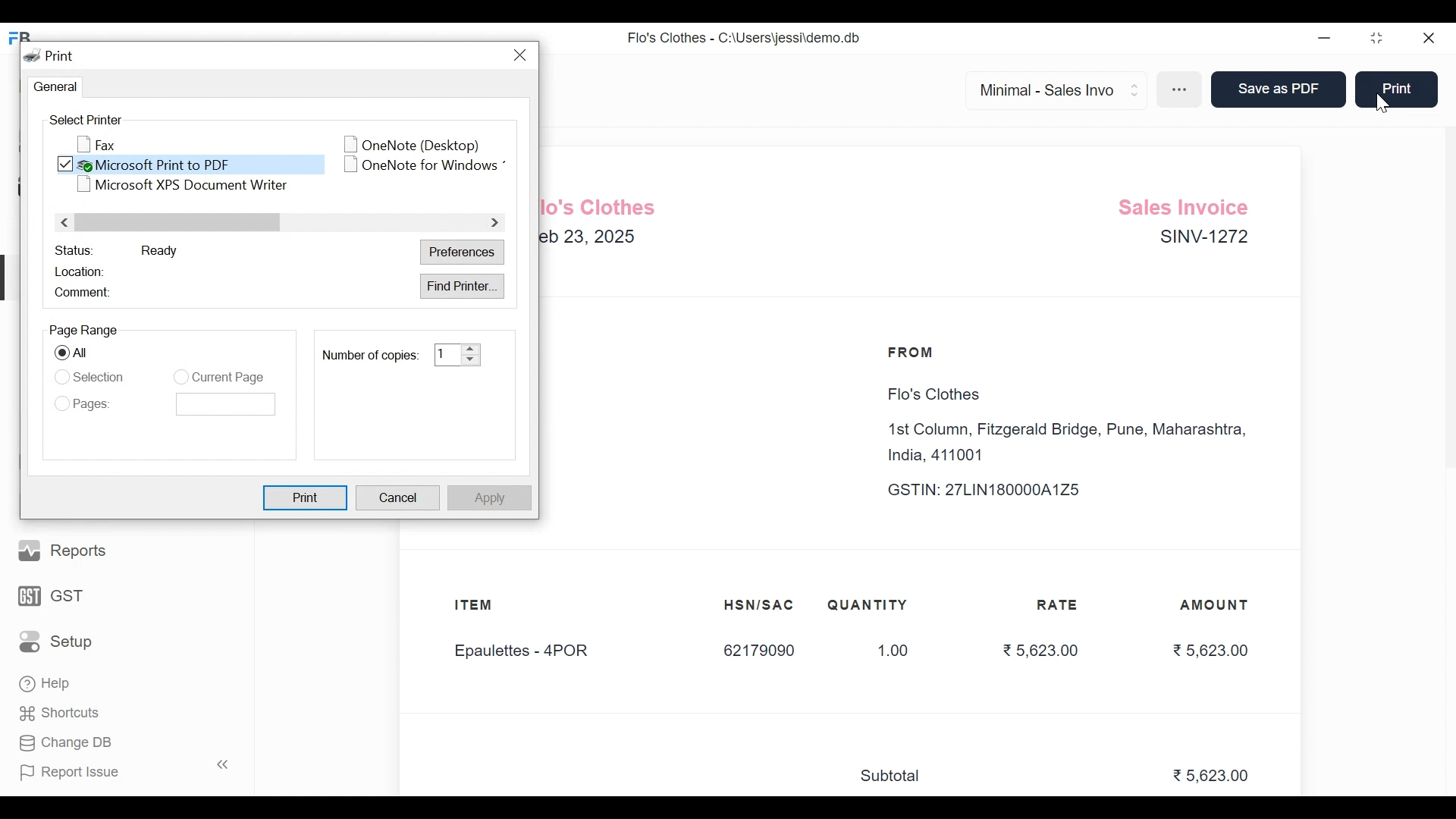  I want to click on More, so click(1181, 91).